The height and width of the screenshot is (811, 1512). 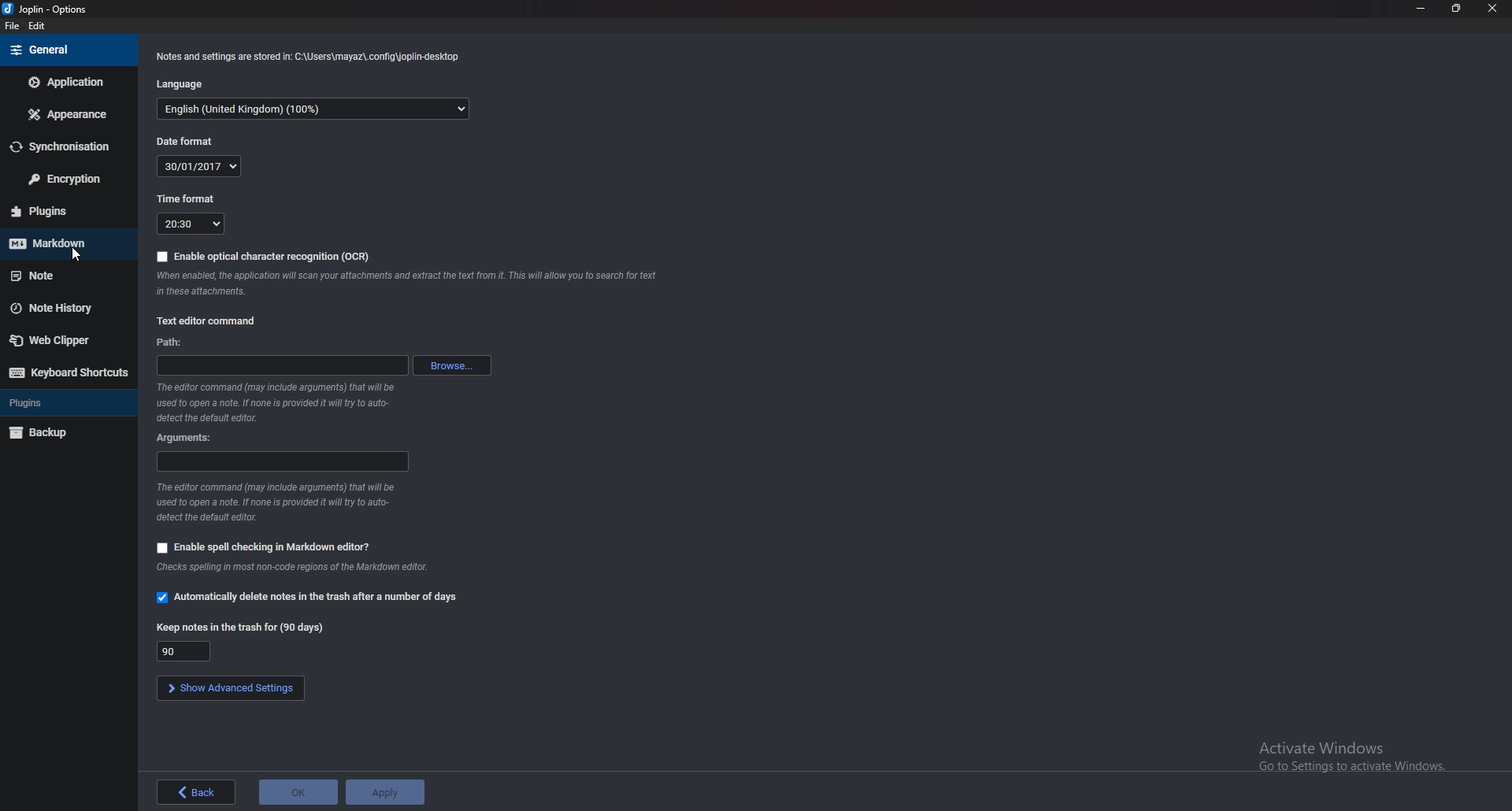 What do you see at coordinates (200, 165) in the screenshot?
I see `Date format` at bounding box center [200, 165].